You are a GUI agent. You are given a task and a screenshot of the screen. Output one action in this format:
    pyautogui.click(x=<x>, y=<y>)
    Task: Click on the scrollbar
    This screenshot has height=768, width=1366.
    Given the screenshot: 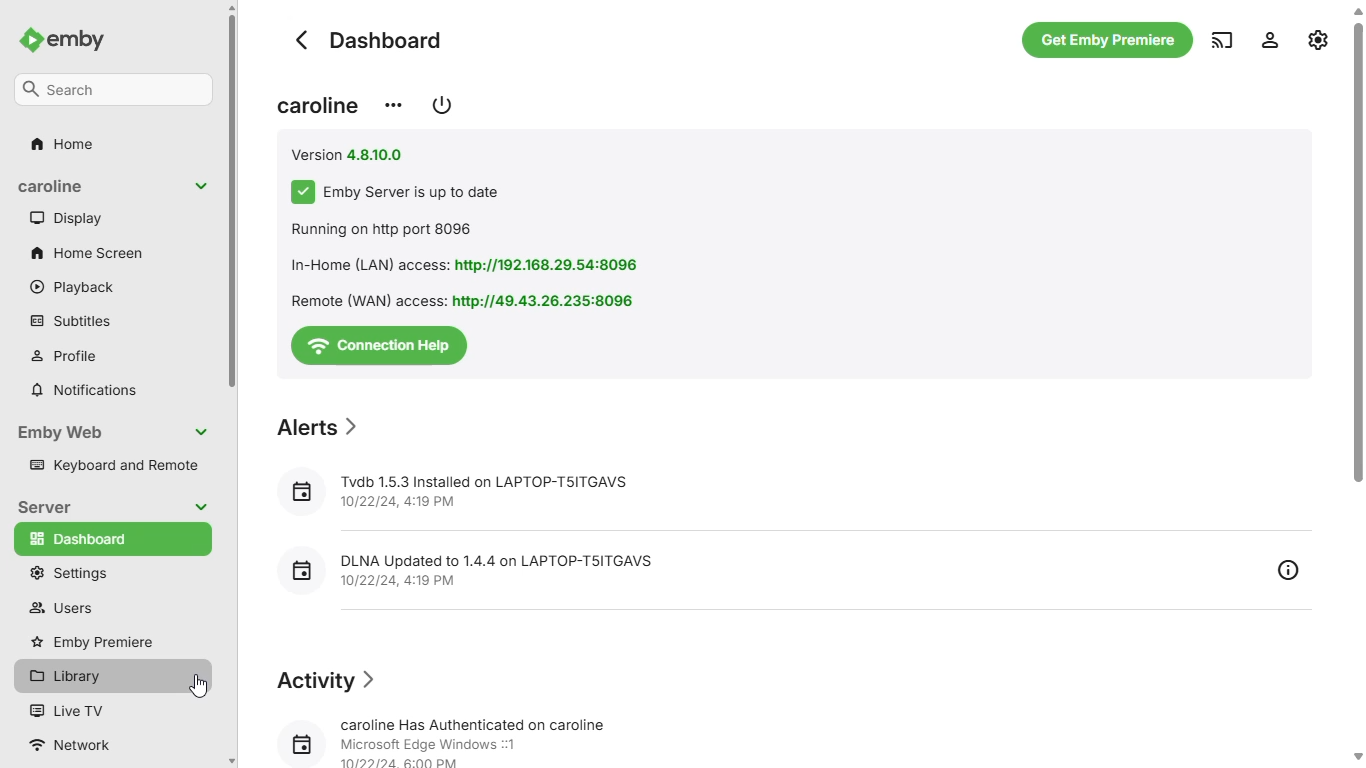 What is the action you would take?
    pyautogui.click(x=1358, y=385)
    